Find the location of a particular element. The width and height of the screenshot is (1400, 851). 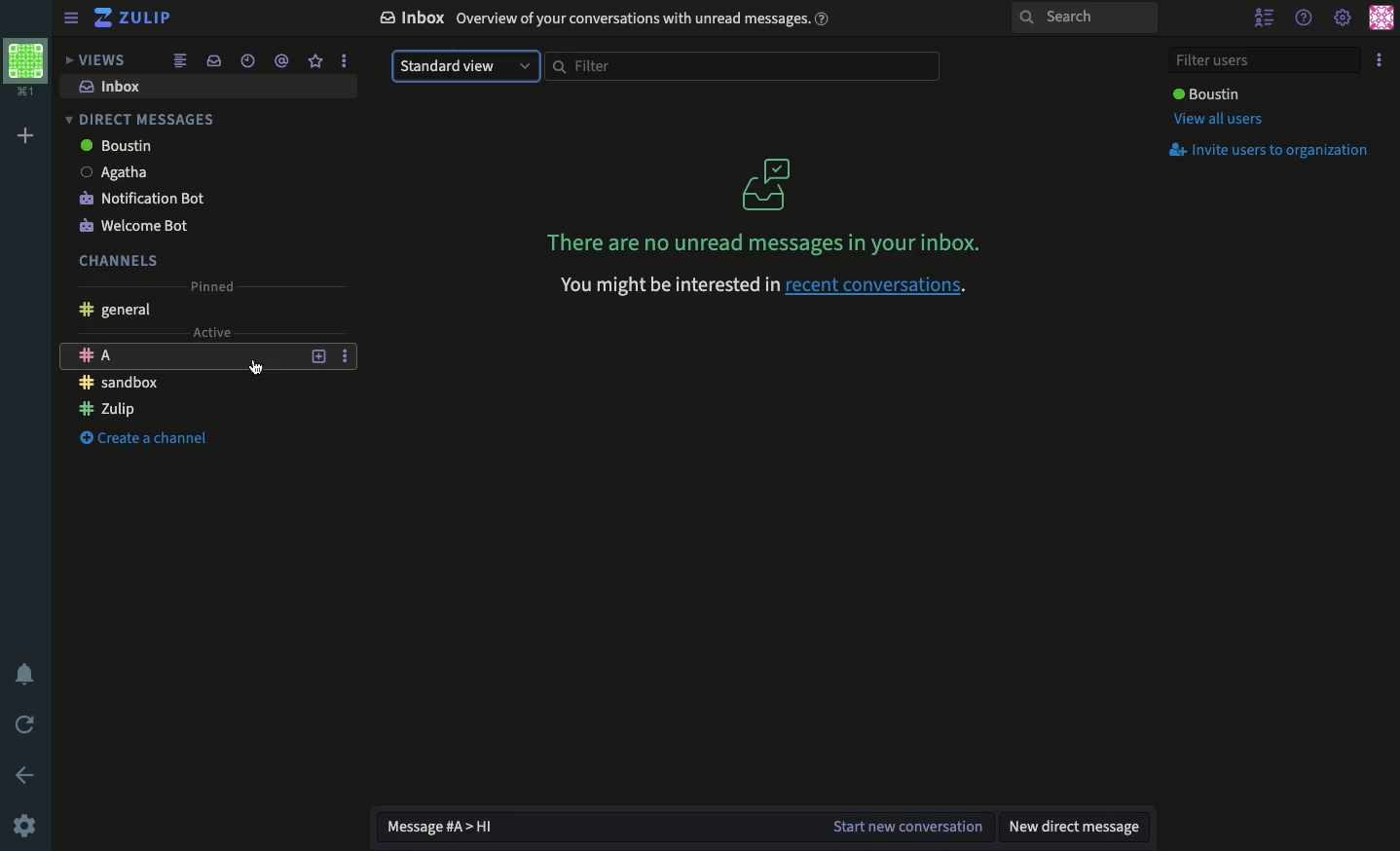

User is located at coordinates (1209, 93).